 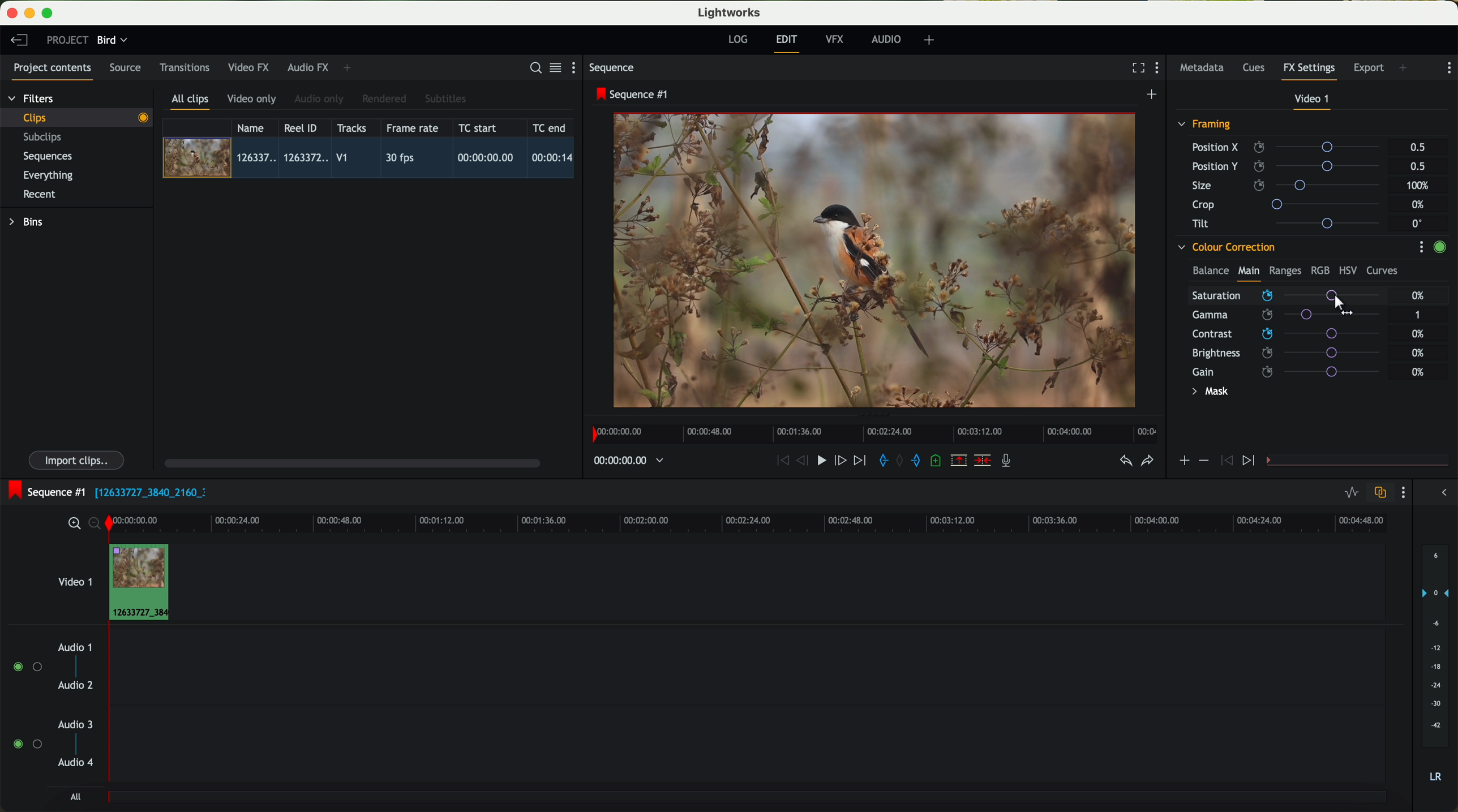 What do you see at coordinates (1319, 269) in the screenshot?
I see `RGB` at bounding box center [1319, 269].